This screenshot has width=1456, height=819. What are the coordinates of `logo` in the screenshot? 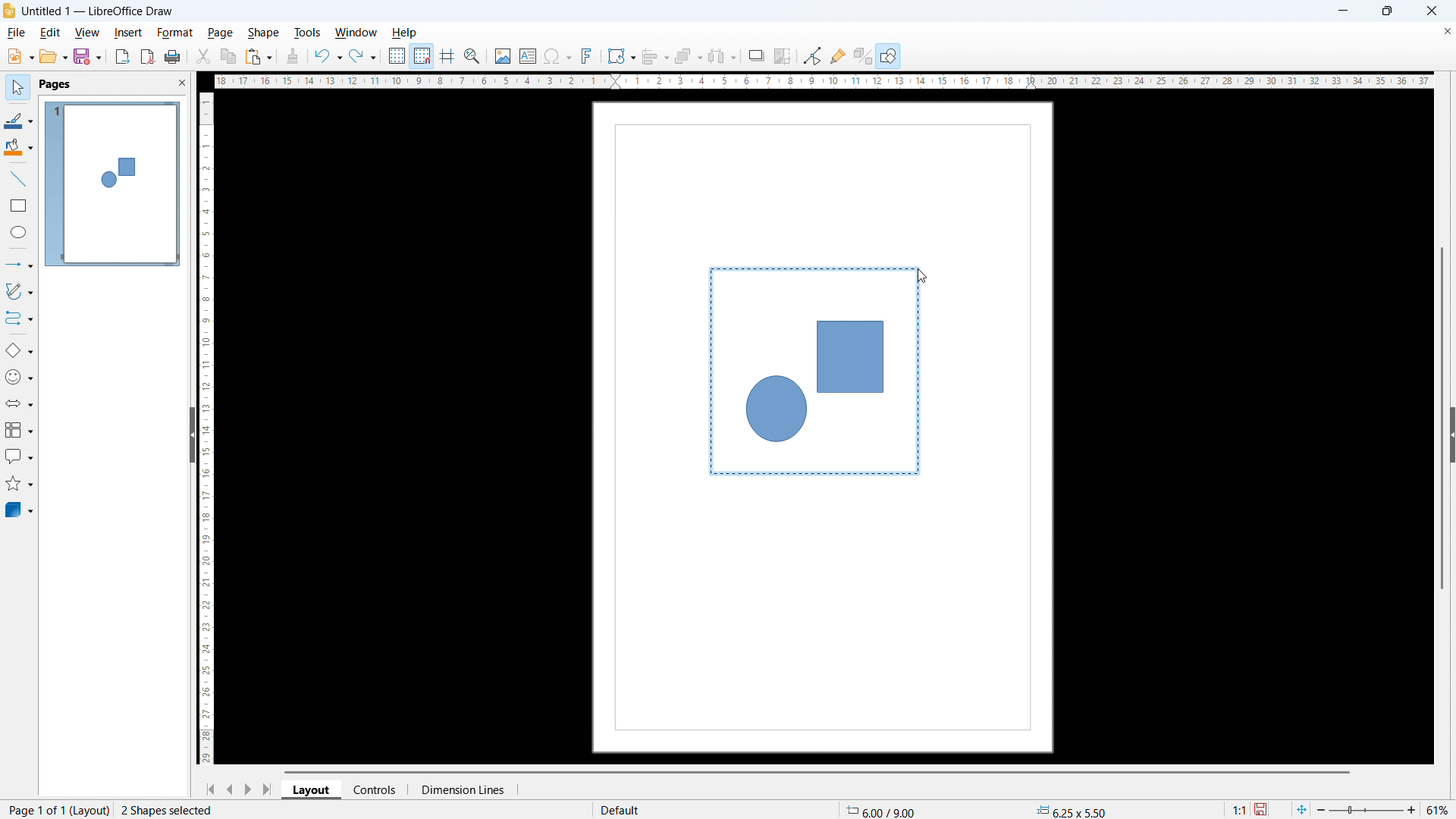 It's located at (9, 11).